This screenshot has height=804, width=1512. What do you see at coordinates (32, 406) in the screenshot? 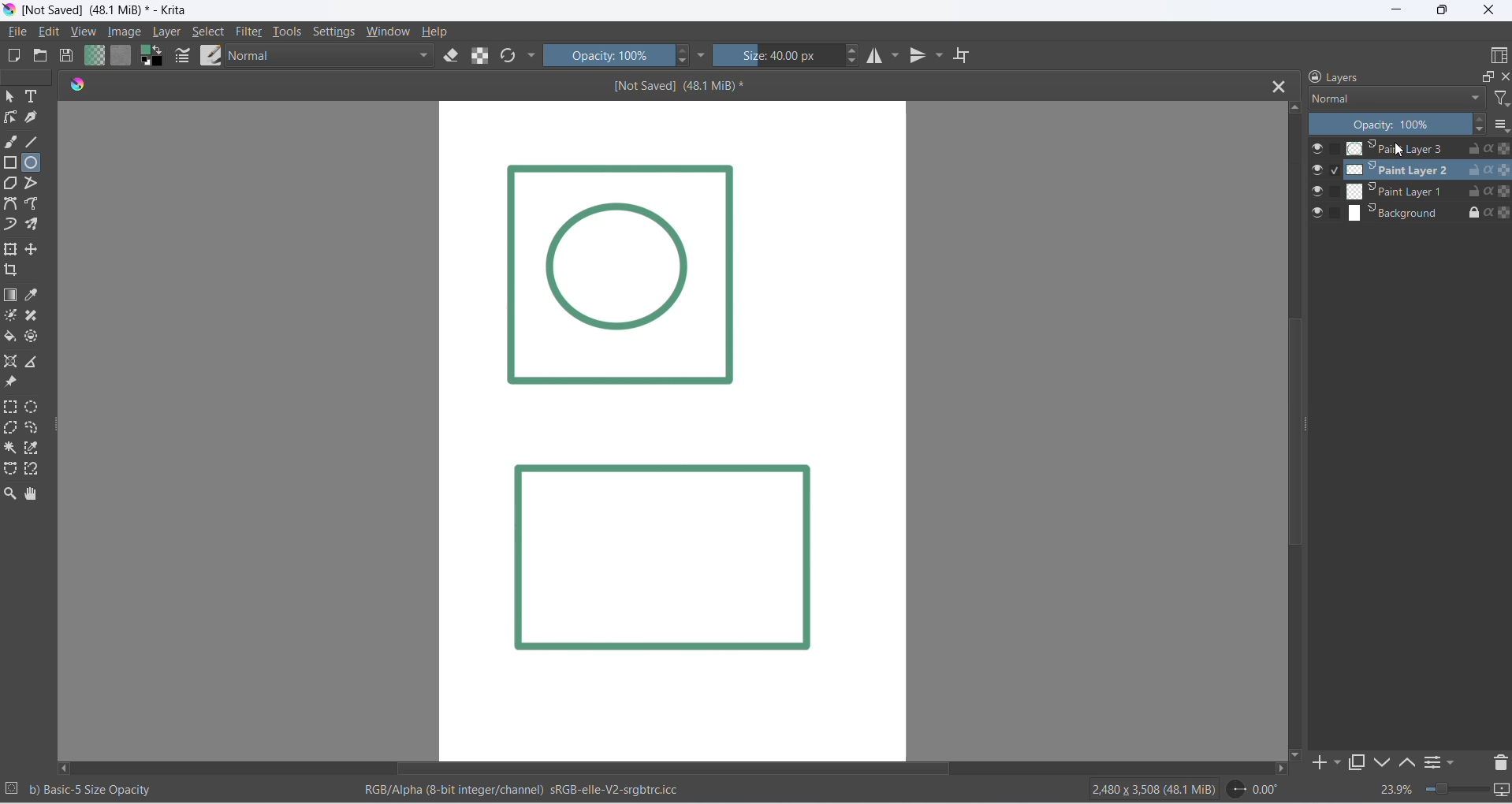
I see `elliptical selection tool` at bounding box center [32, 406].